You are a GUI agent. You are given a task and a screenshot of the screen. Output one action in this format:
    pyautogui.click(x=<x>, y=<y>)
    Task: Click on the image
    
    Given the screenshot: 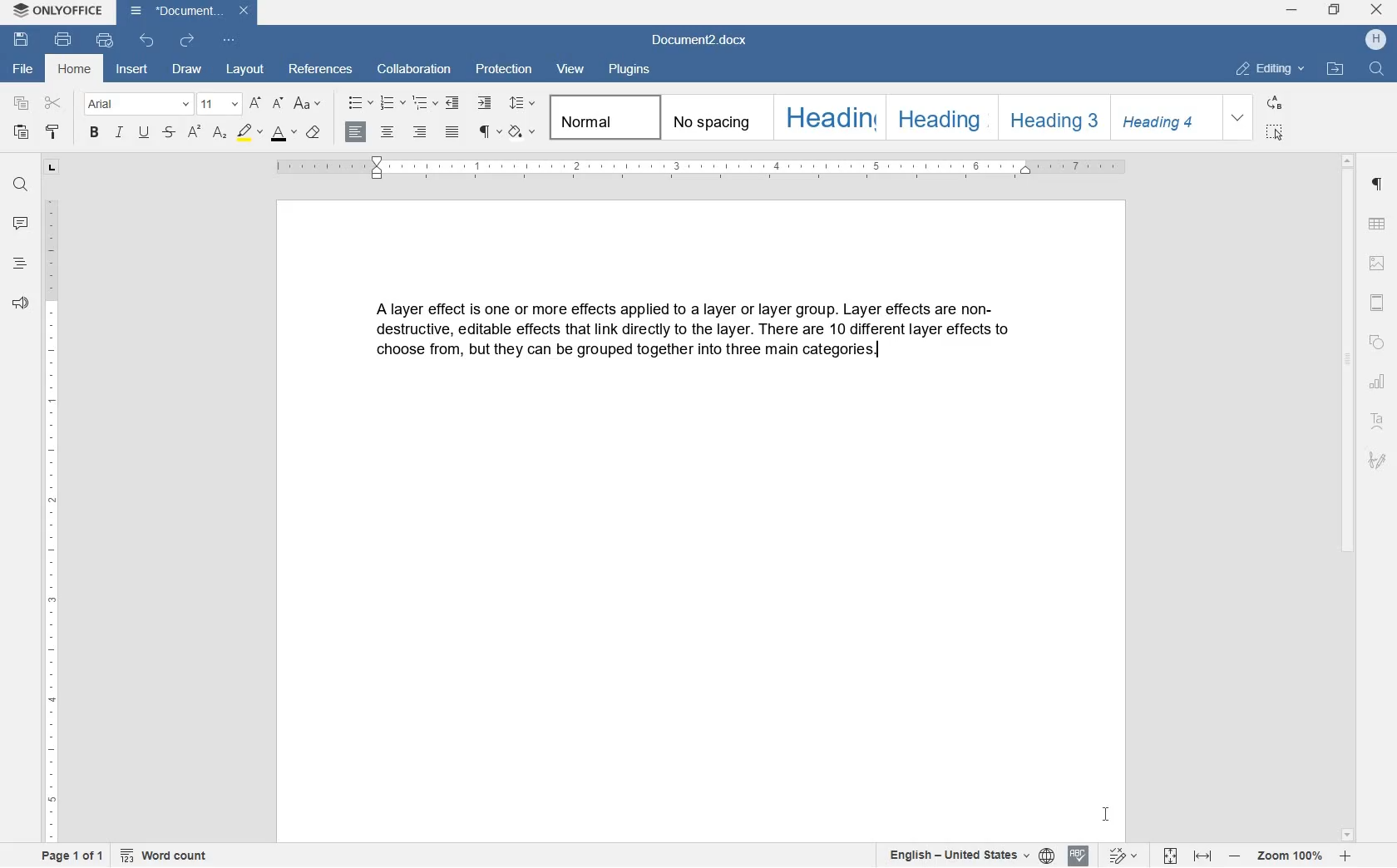 What is the action you would take?
    pyautogui.click(x=1377, y=264)
    